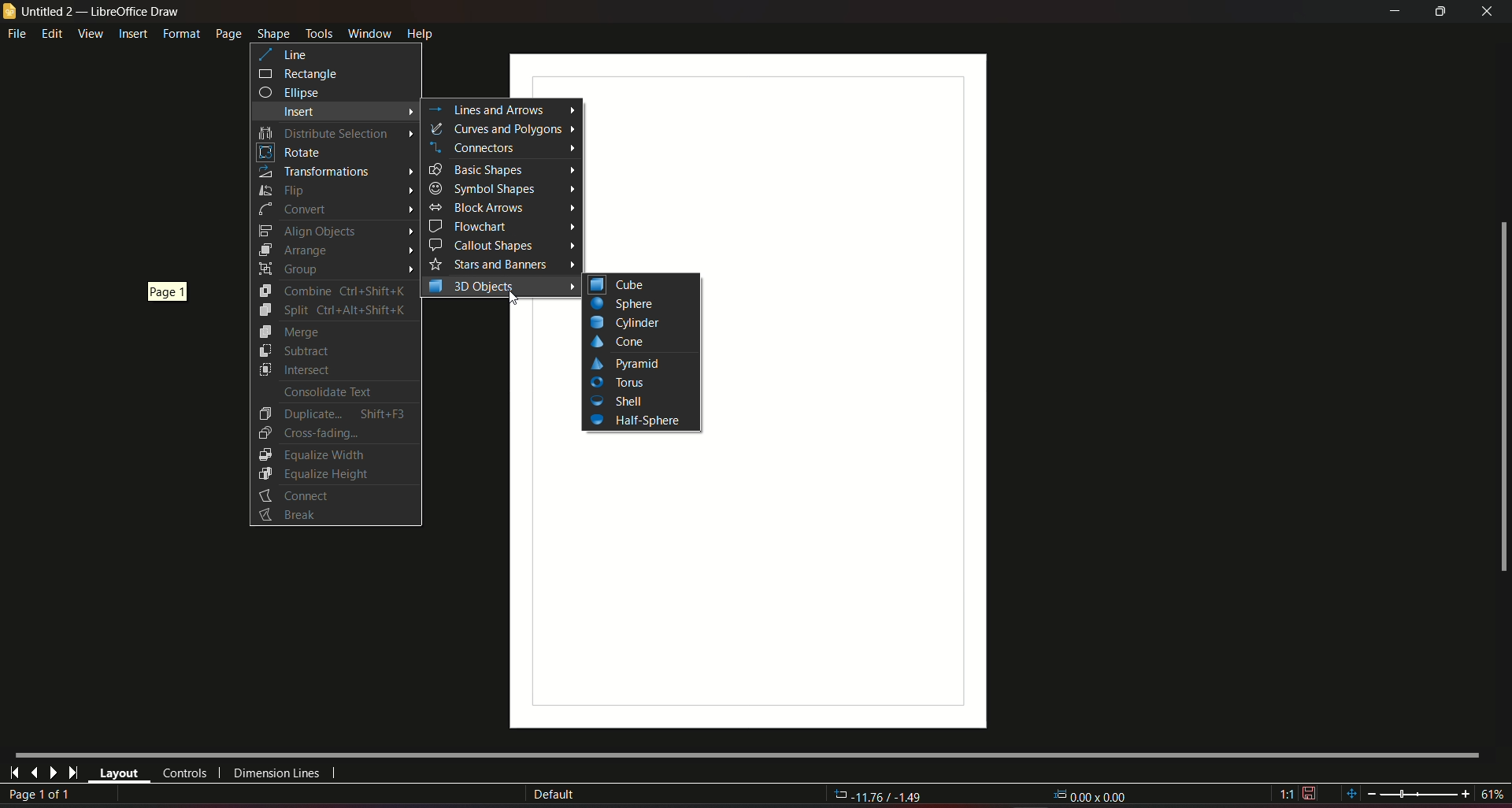  What do you see at coordinates (183, 773) in the screenshot?
I see `controls` at bounding box center [183, 773].